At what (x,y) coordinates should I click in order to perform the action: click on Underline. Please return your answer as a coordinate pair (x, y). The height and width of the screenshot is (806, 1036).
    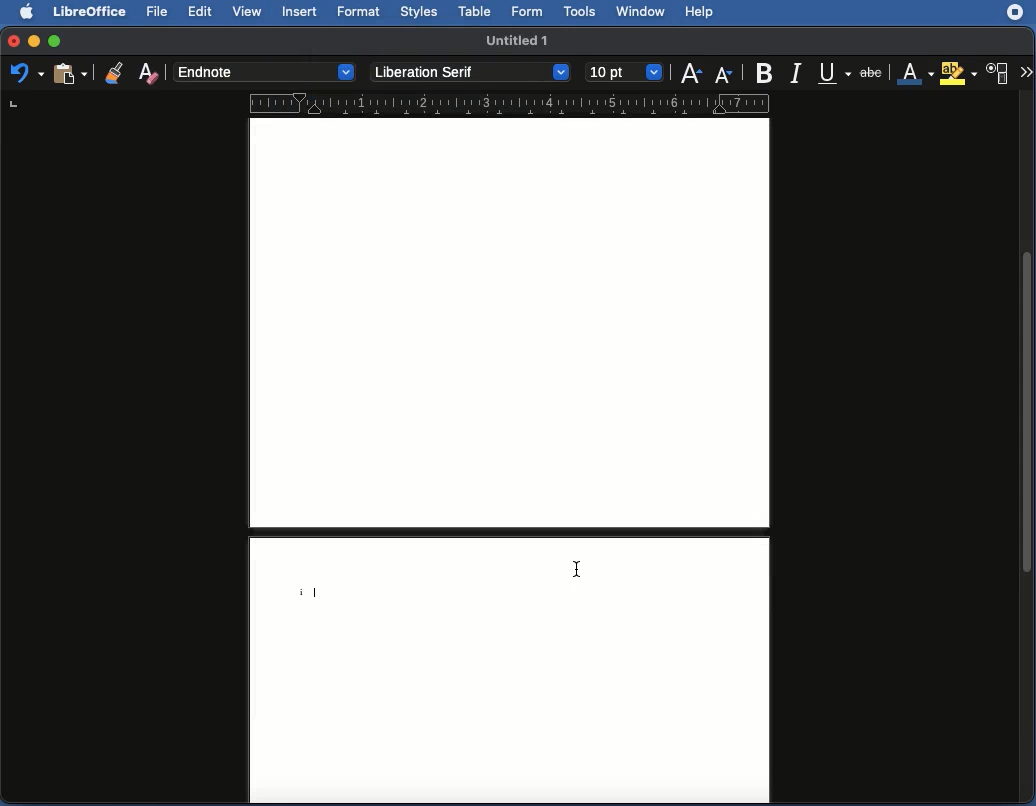
    Looking at the image, I should click on (836, 73).